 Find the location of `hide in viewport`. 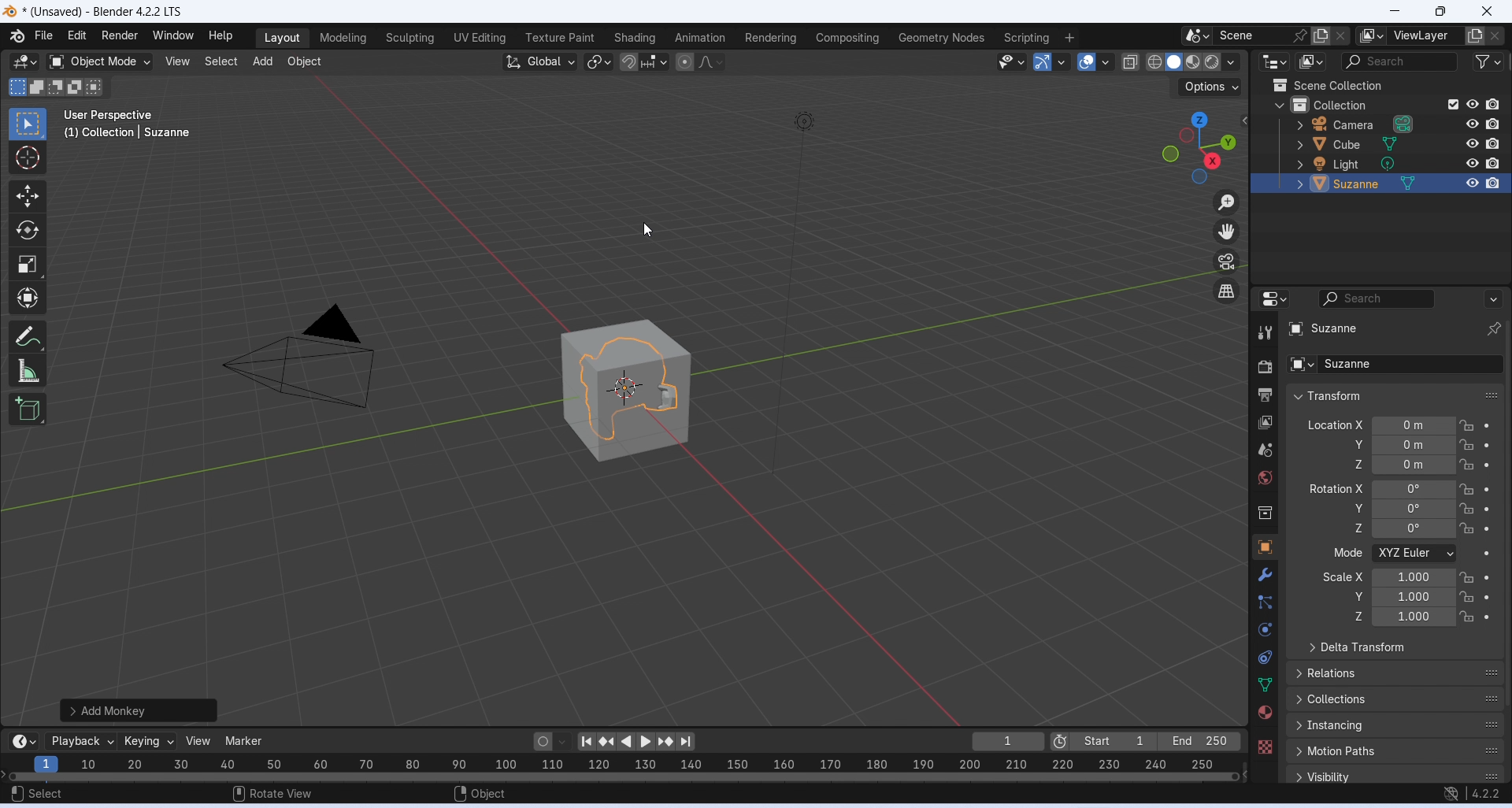

hide in viewport is located at coordinates (1473, 164).